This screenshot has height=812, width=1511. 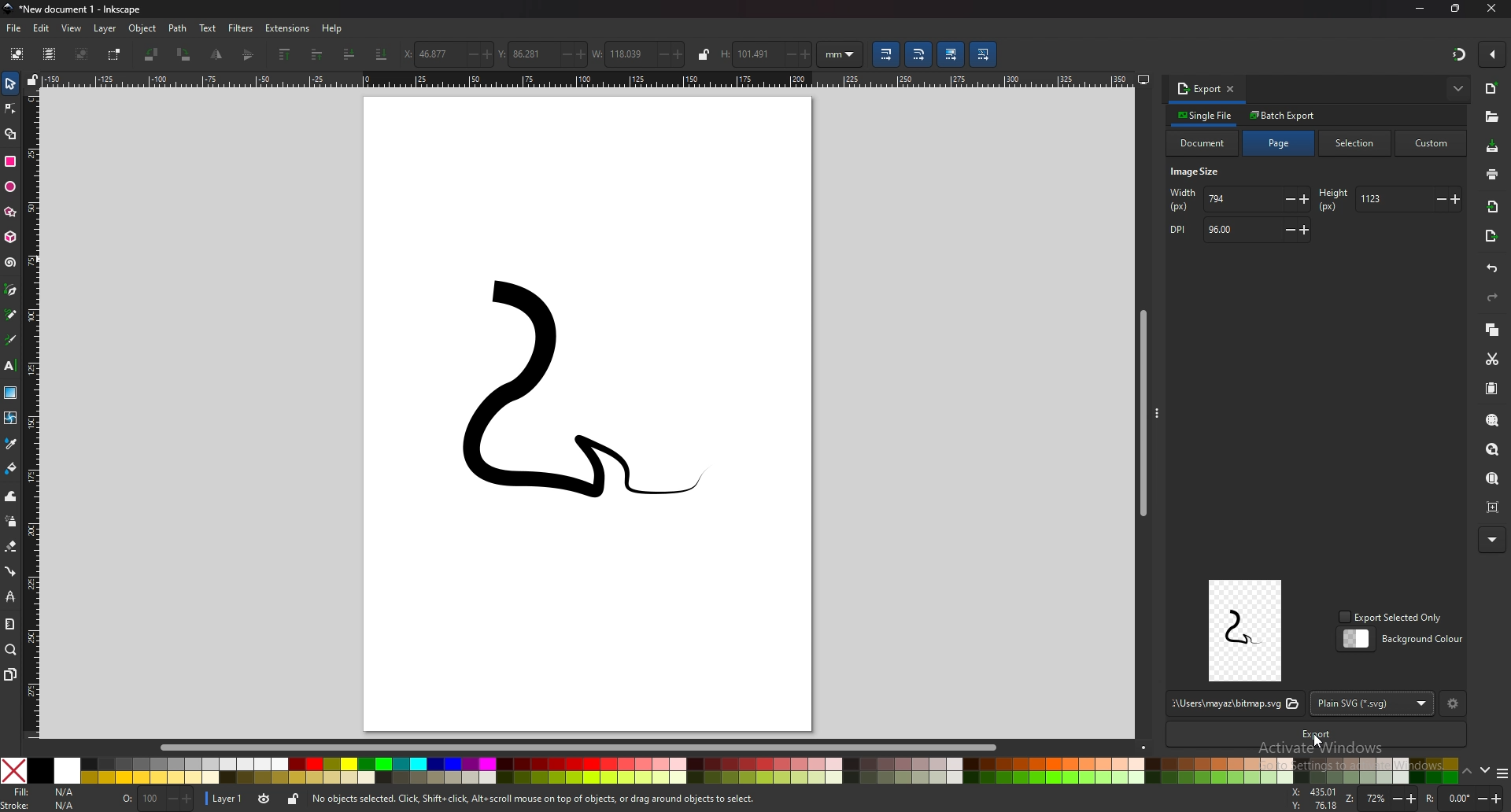 I want to click on up, so click(x=1467, y=771).